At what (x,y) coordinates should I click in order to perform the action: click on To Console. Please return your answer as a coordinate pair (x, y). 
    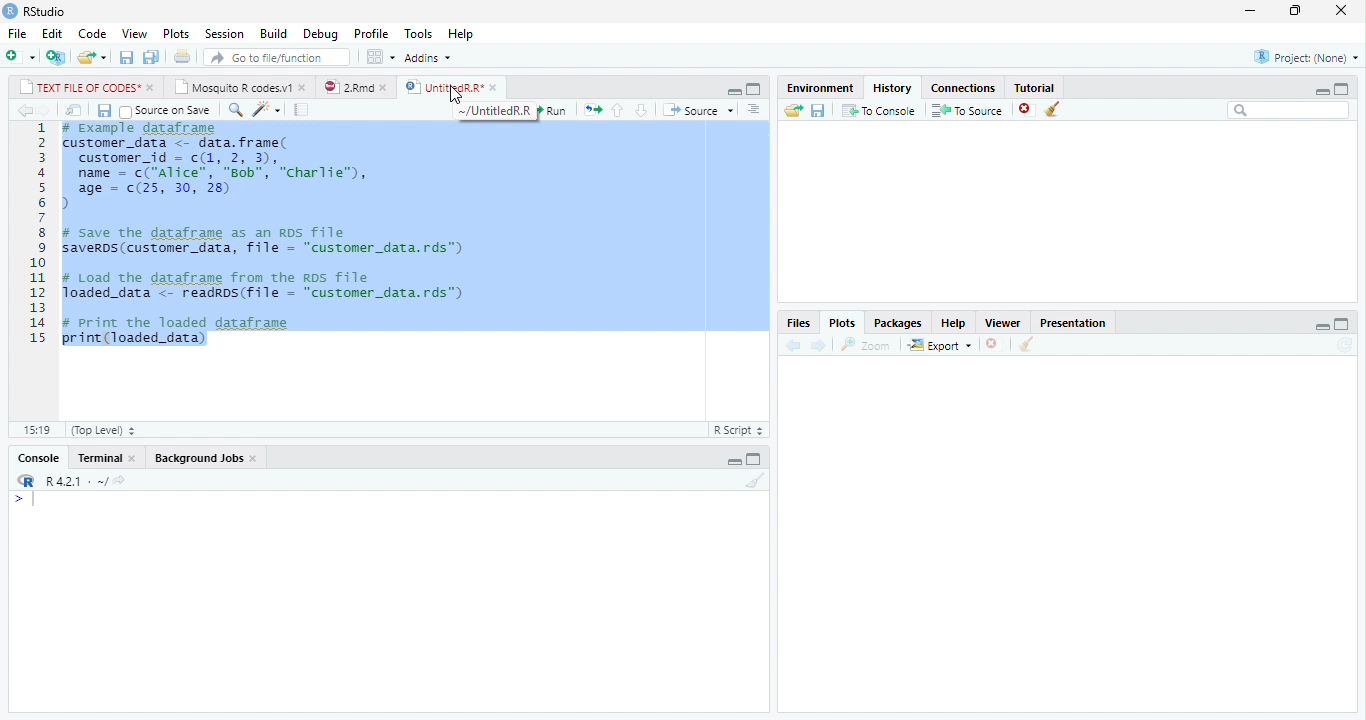
    Looking at the image, I should click on (878, 110).